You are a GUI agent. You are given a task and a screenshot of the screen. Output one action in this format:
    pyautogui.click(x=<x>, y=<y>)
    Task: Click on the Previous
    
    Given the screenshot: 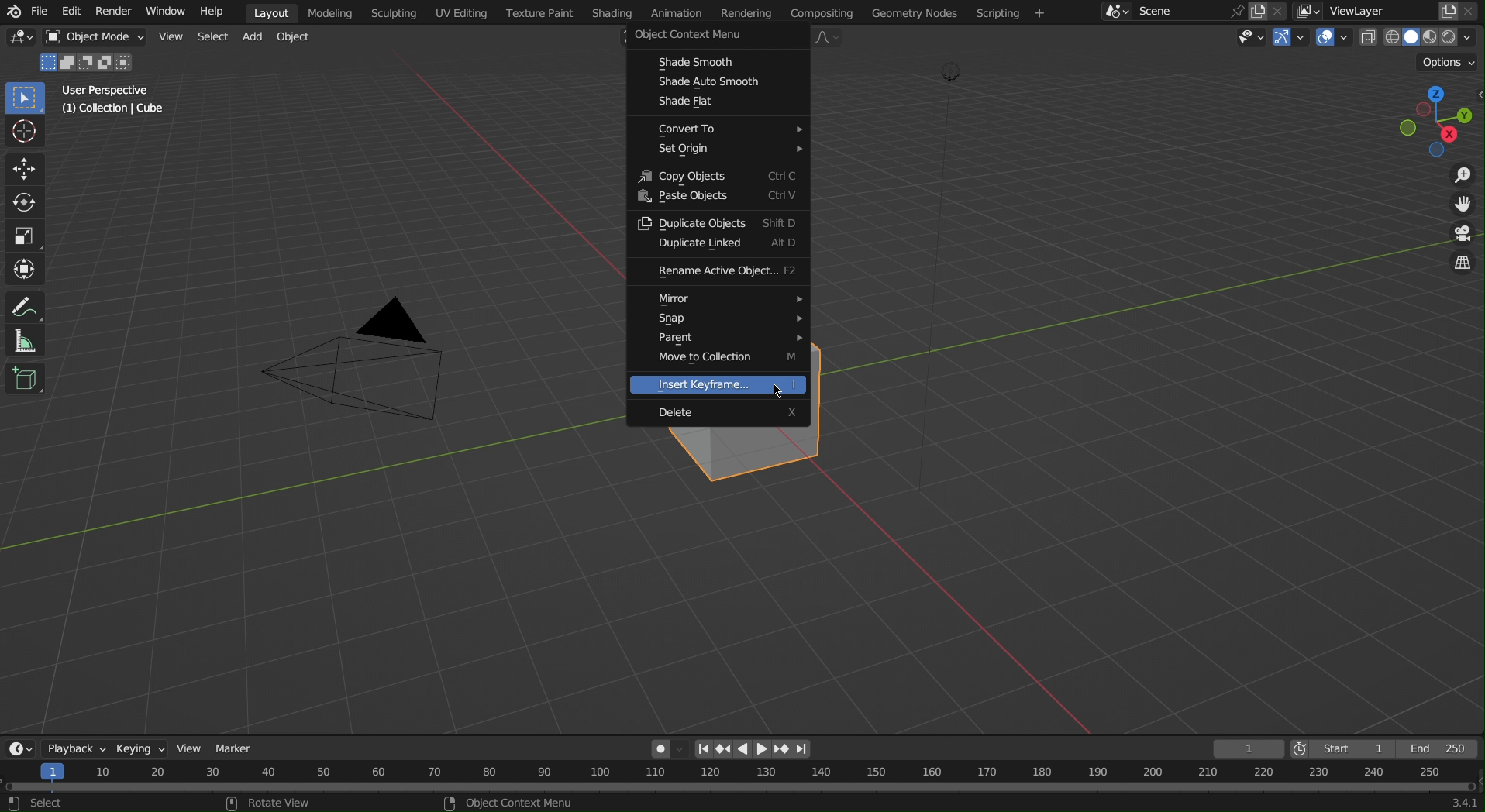 What is the action you would take?
    pyautogui.click(x=722, y=749)
    